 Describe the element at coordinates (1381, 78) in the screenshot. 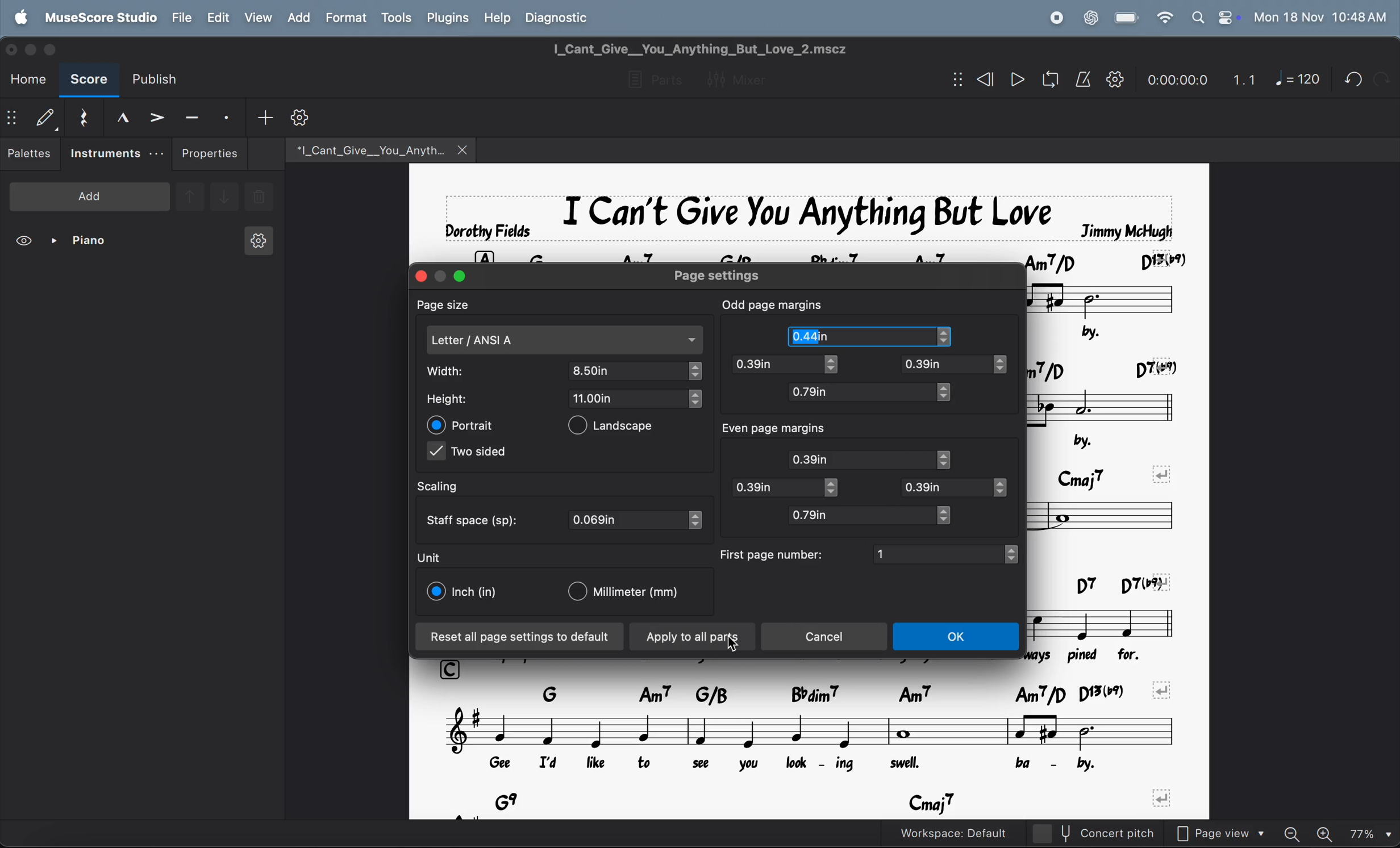

I see `undo` at that location.